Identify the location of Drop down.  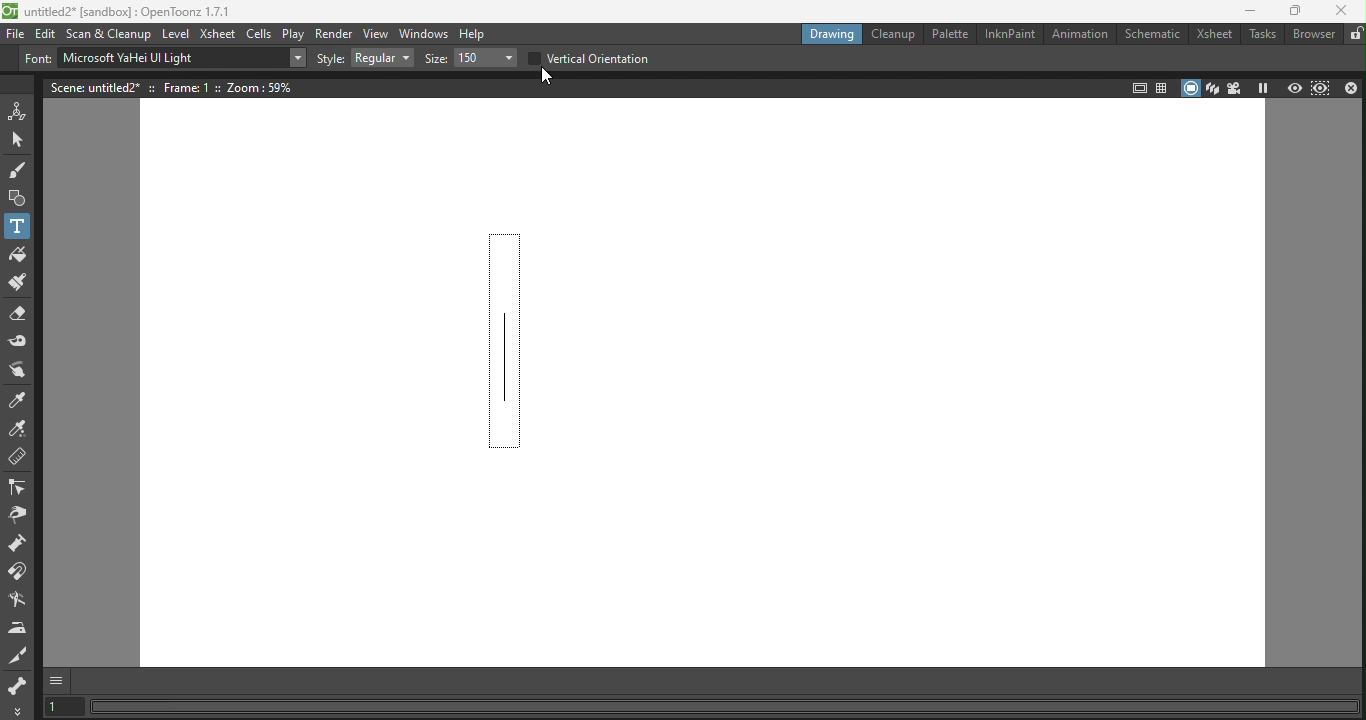
(299, 57).